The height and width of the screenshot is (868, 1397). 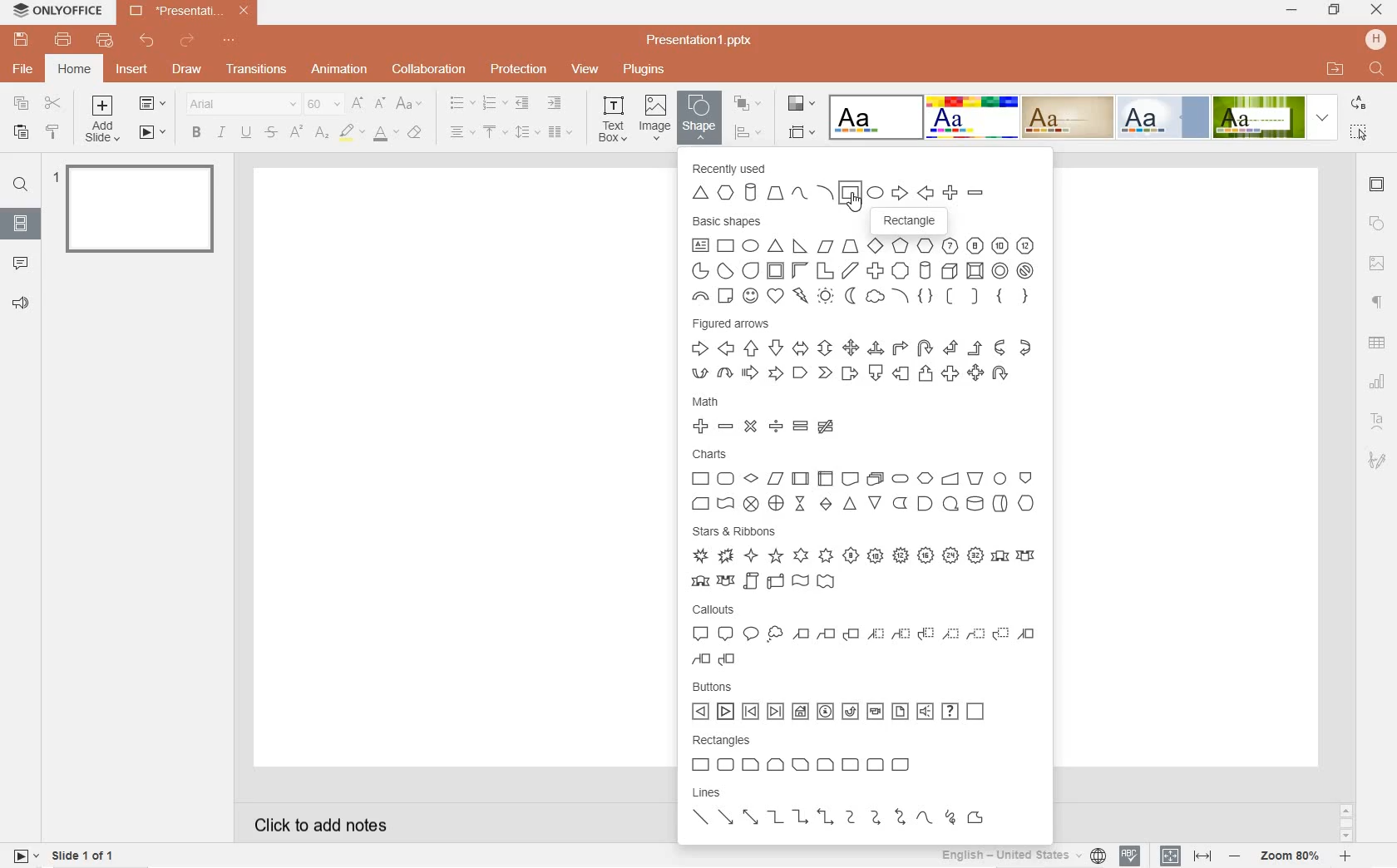 I want to click on stars & ribbons, so click(x=730, y=530).